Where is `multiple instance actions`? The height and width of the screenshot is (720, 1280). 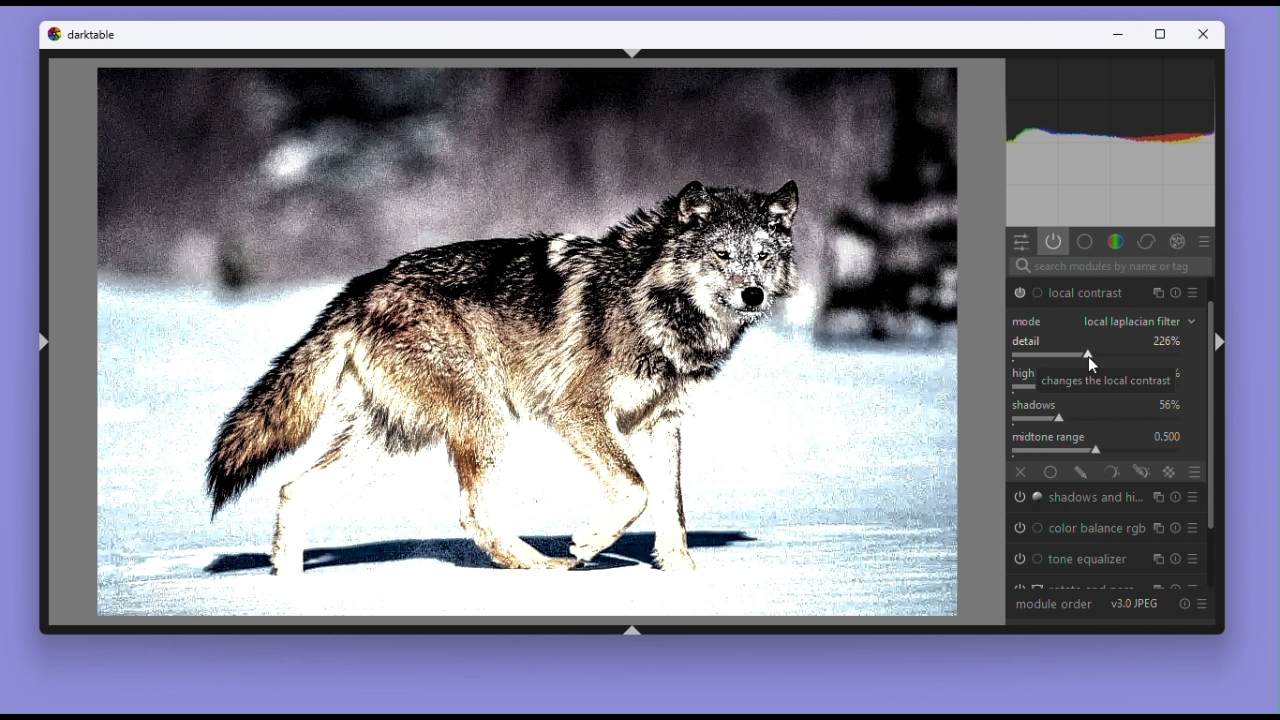 multiple instance actions is located at coordinates (1159, 293).